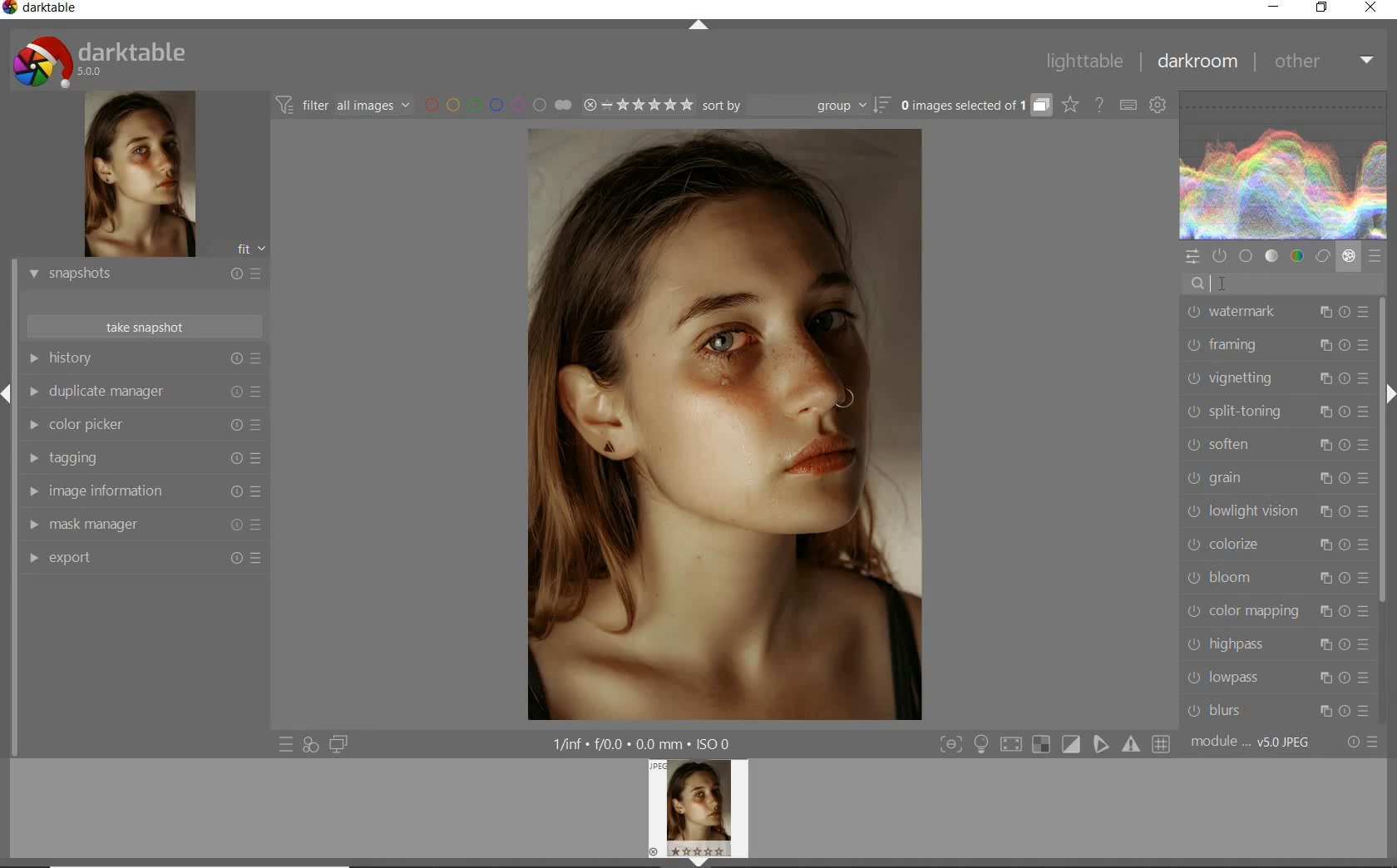 This screenshot has width=1397, height=868. I want to click on lowpass, so click(1276, 678).